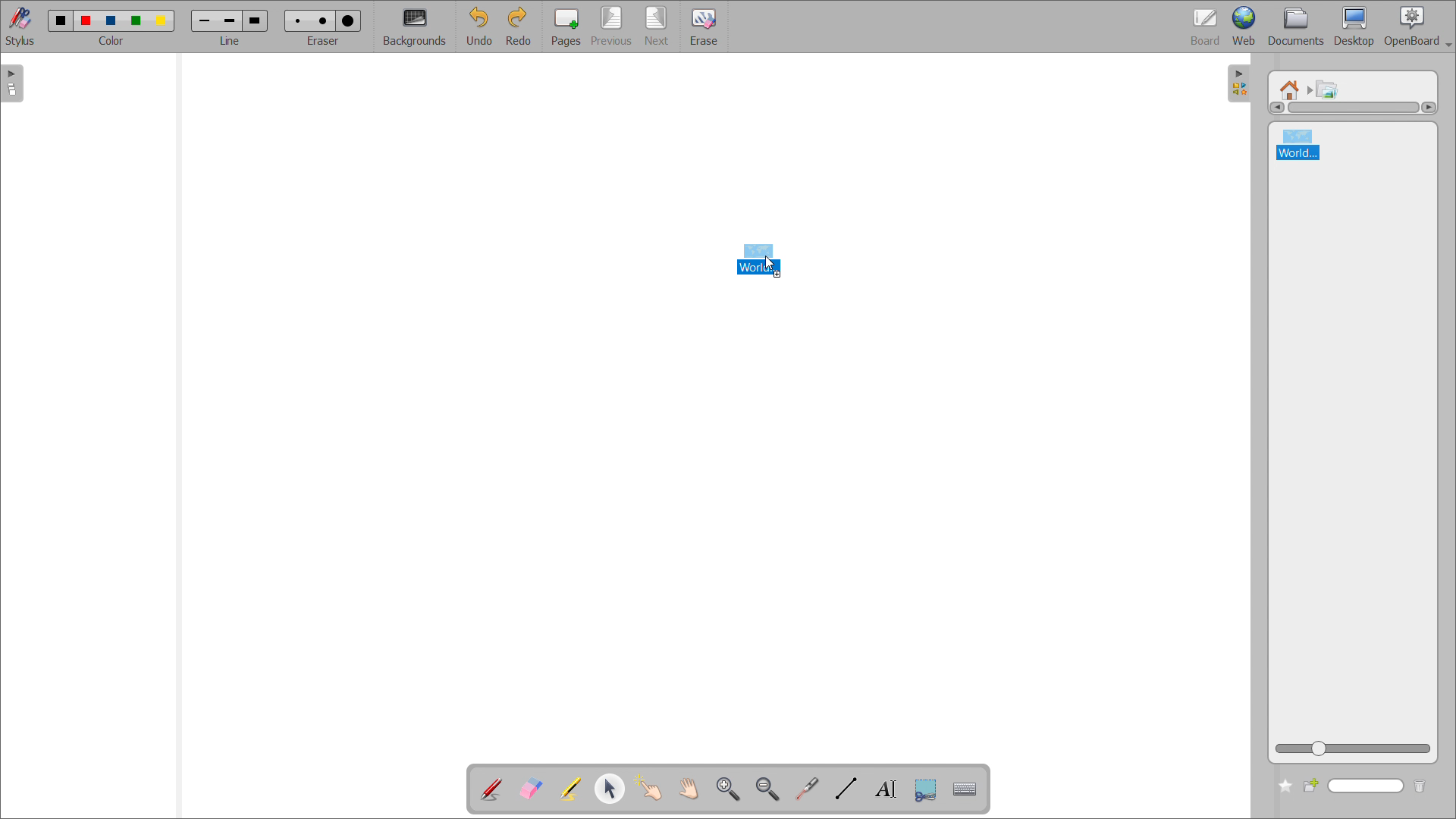  Describe the element at coordinates (773, 268) in the screenshot. I see `cursor` at that location.